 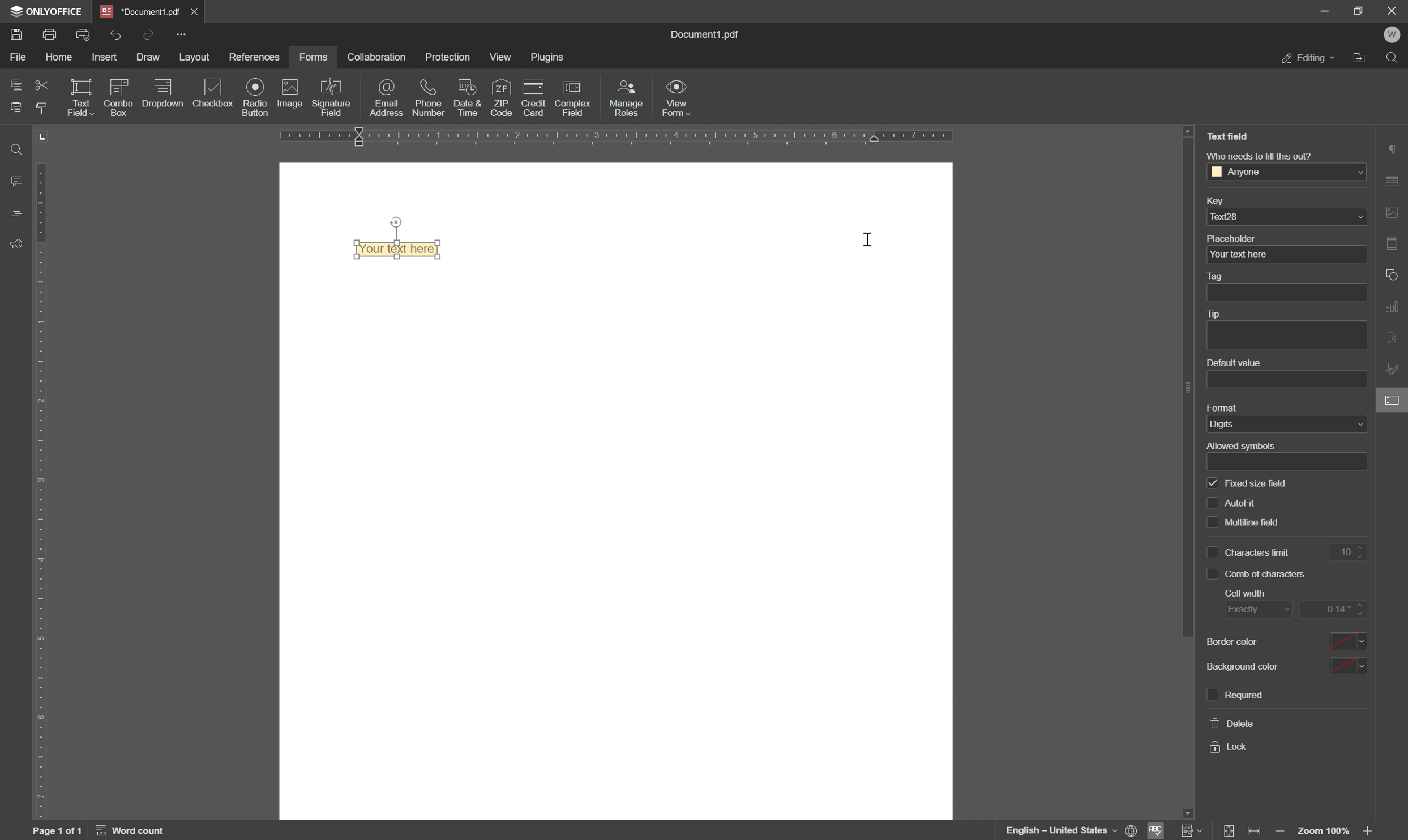 I want to click on comb of characters, so click(x=1257, y=575).